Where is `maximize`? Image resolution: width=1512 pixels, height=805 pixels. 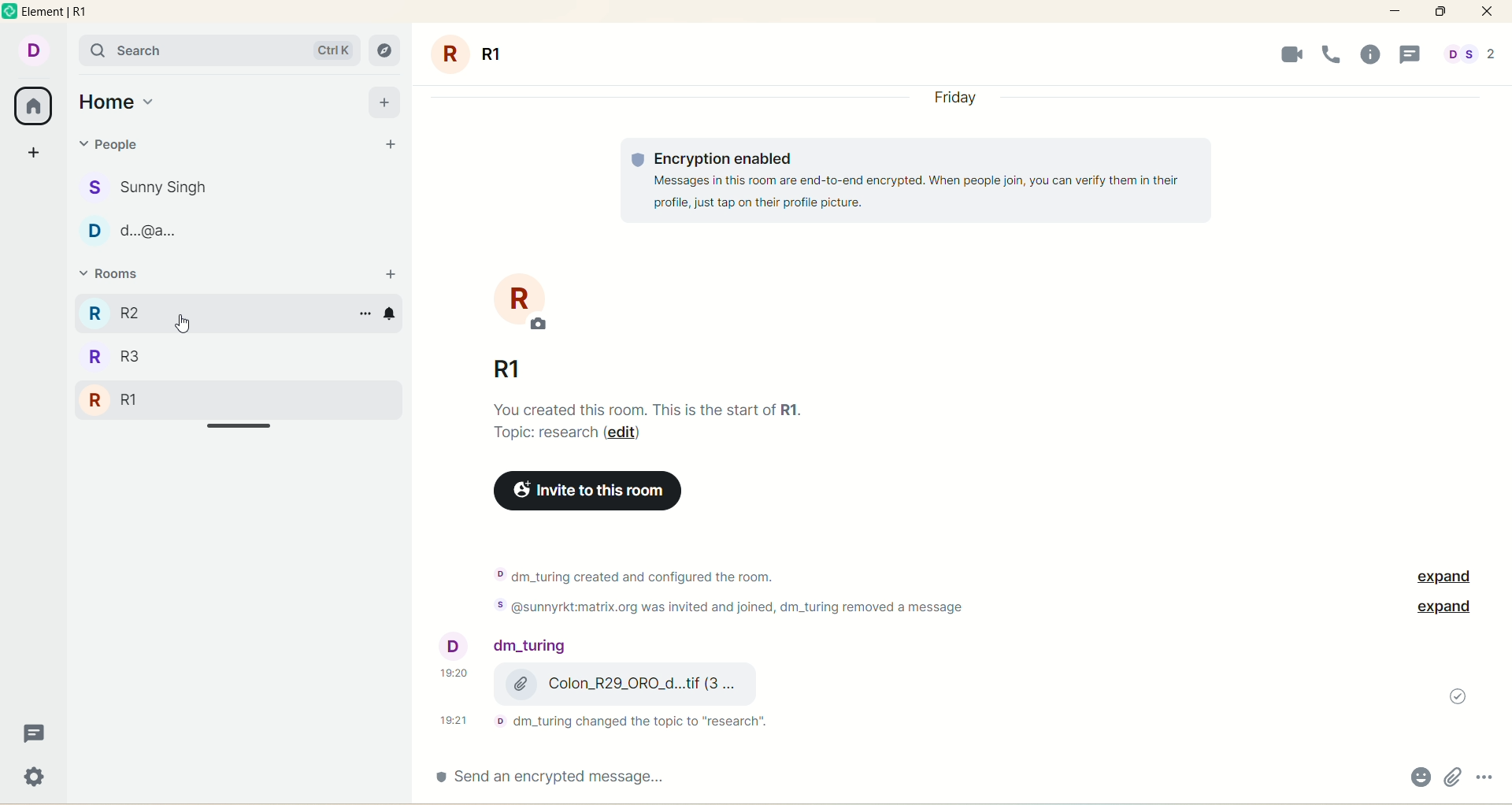
maximize is located at coordinates (1440, 11).